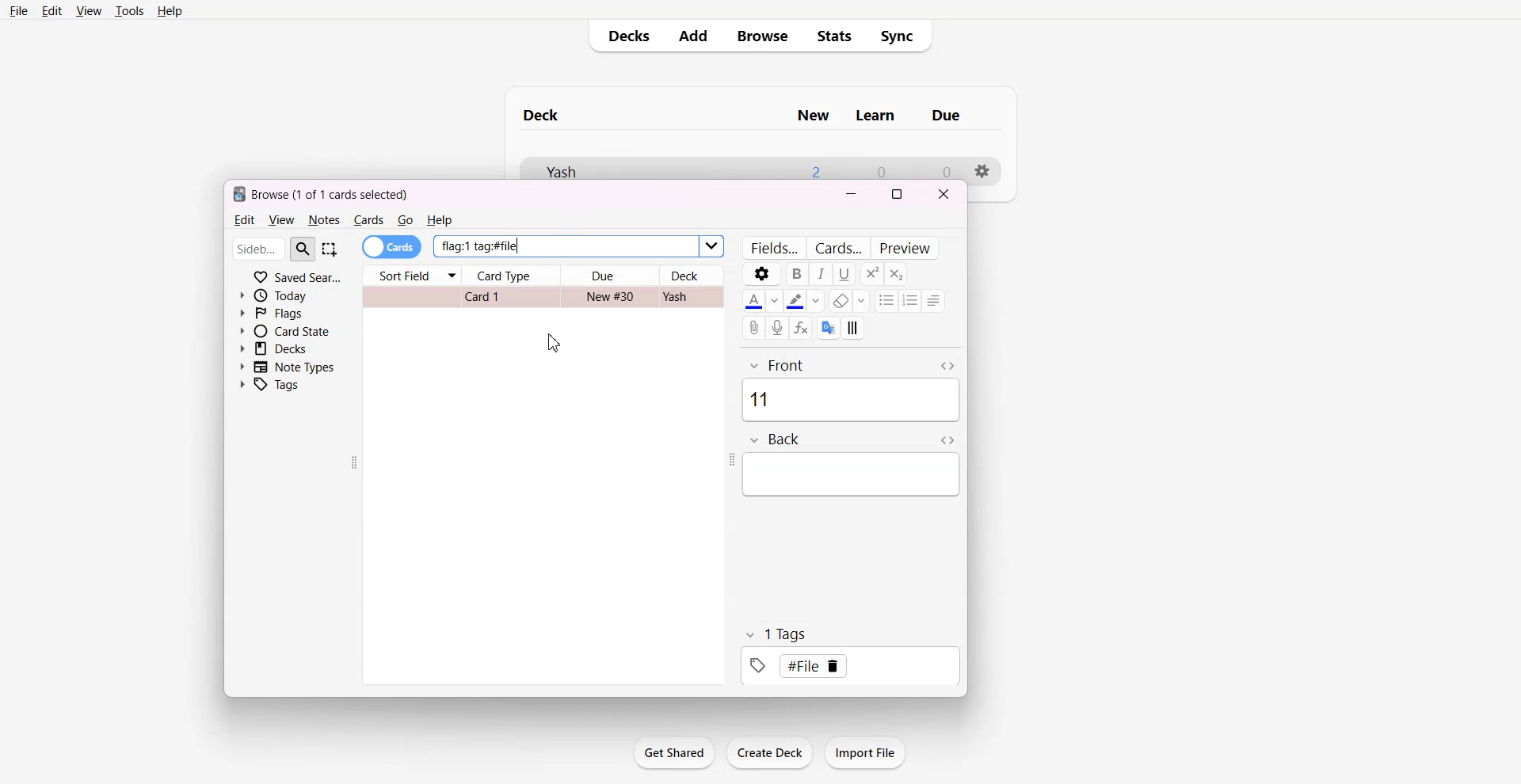 The width and height of the screenshot is (1521, 784). What do you see at coordinates (243, 220) in the screenshot?
I see `Edit` at bounding box center [243, 220].